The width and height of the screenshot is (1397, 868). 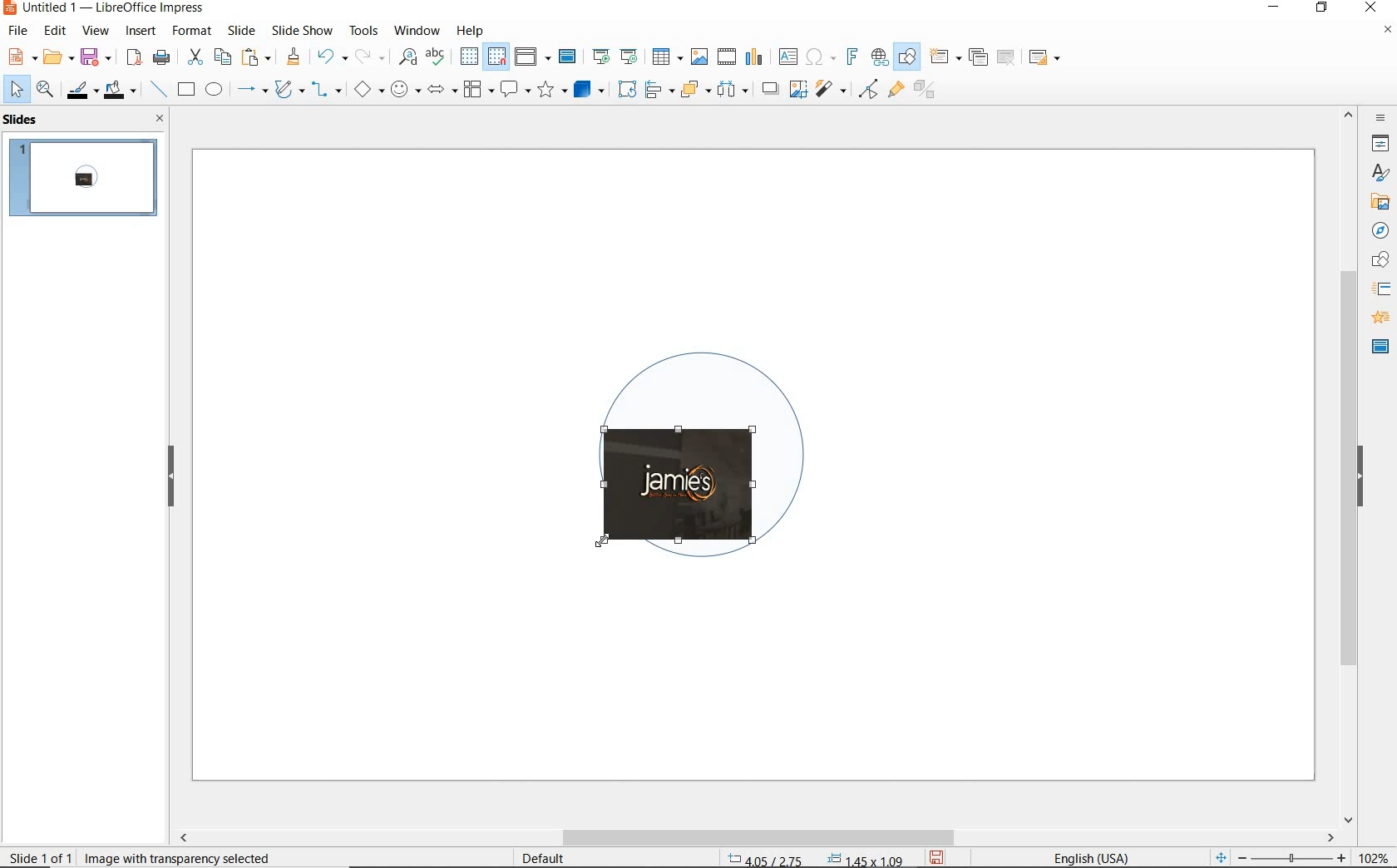 What do you see at coordinates (477, 91) in the screenshot?
I see `flowchart` at bounding box center [477, 91].